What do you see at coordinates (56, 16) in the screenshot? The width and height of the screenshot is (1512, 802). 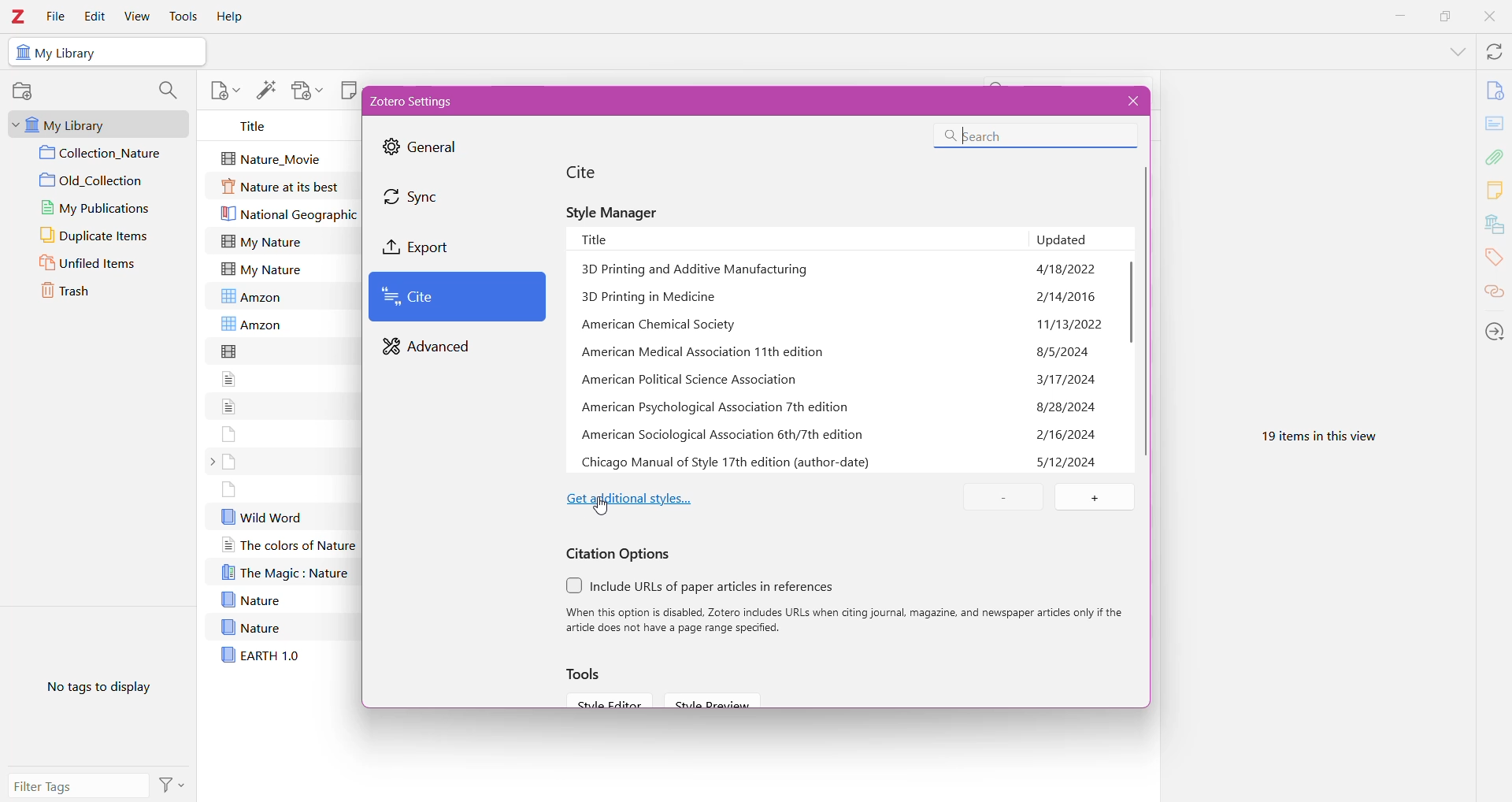 I see `File` at bounding box center [56, 16].